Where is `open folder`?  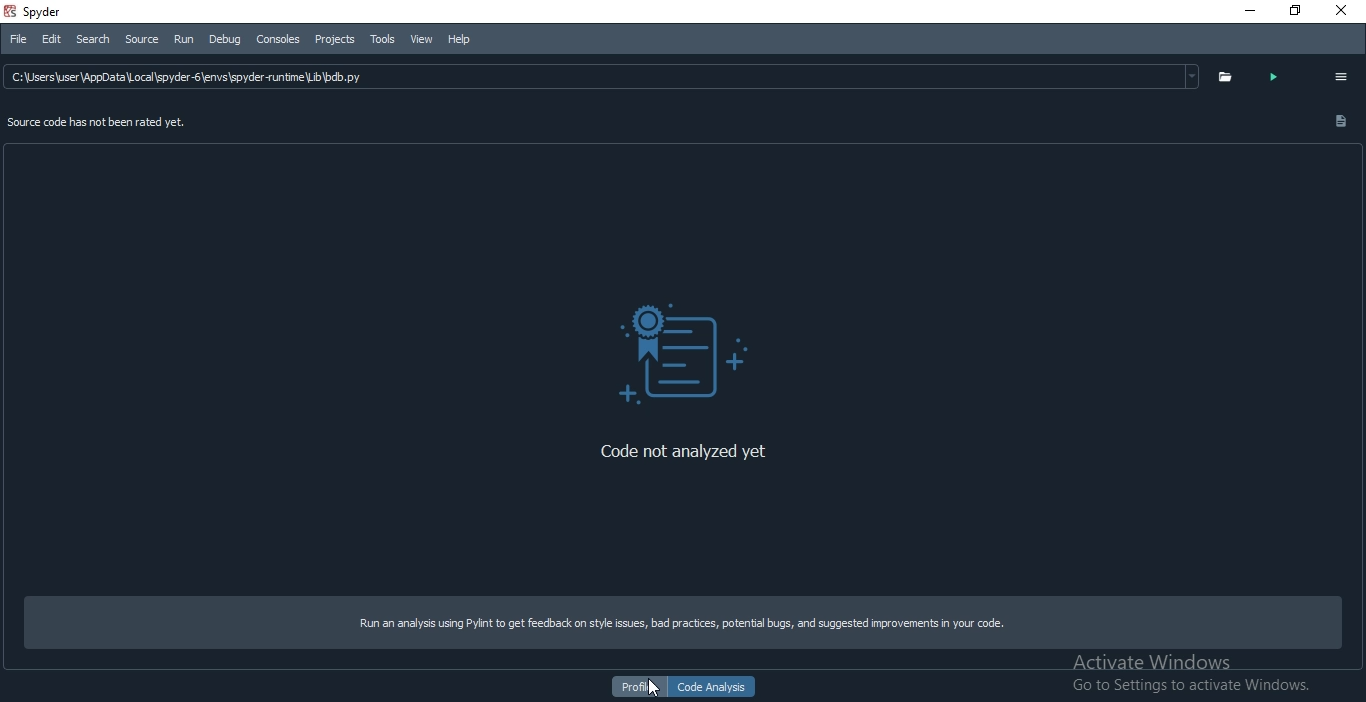
open folder is located at coordinates (1222, 77).